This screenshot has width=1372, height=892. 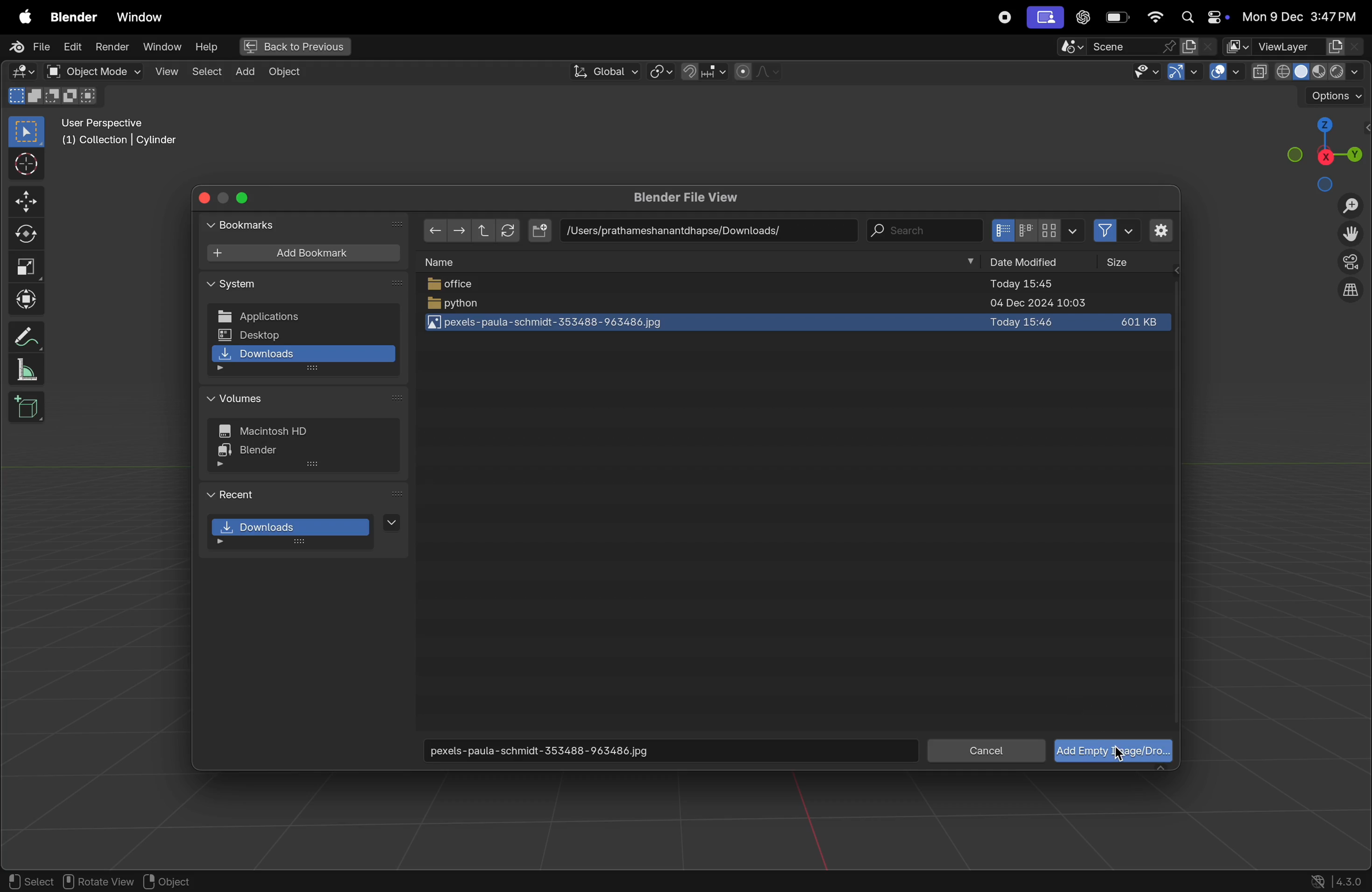 I want to click on download image, so click(x=671, y=751).